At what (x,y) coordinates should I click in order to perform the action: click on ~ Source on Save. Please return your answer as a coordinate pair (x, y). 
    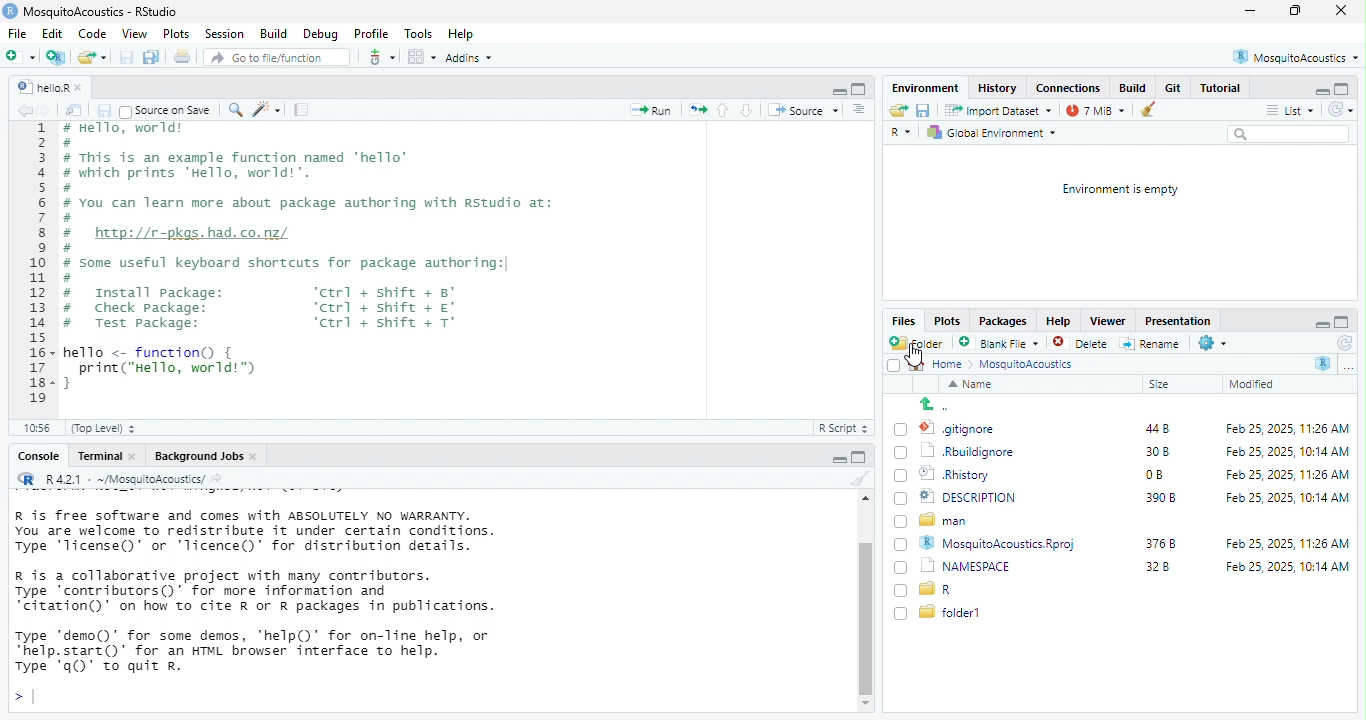
    Looking at the image, I should click on (169, 110).